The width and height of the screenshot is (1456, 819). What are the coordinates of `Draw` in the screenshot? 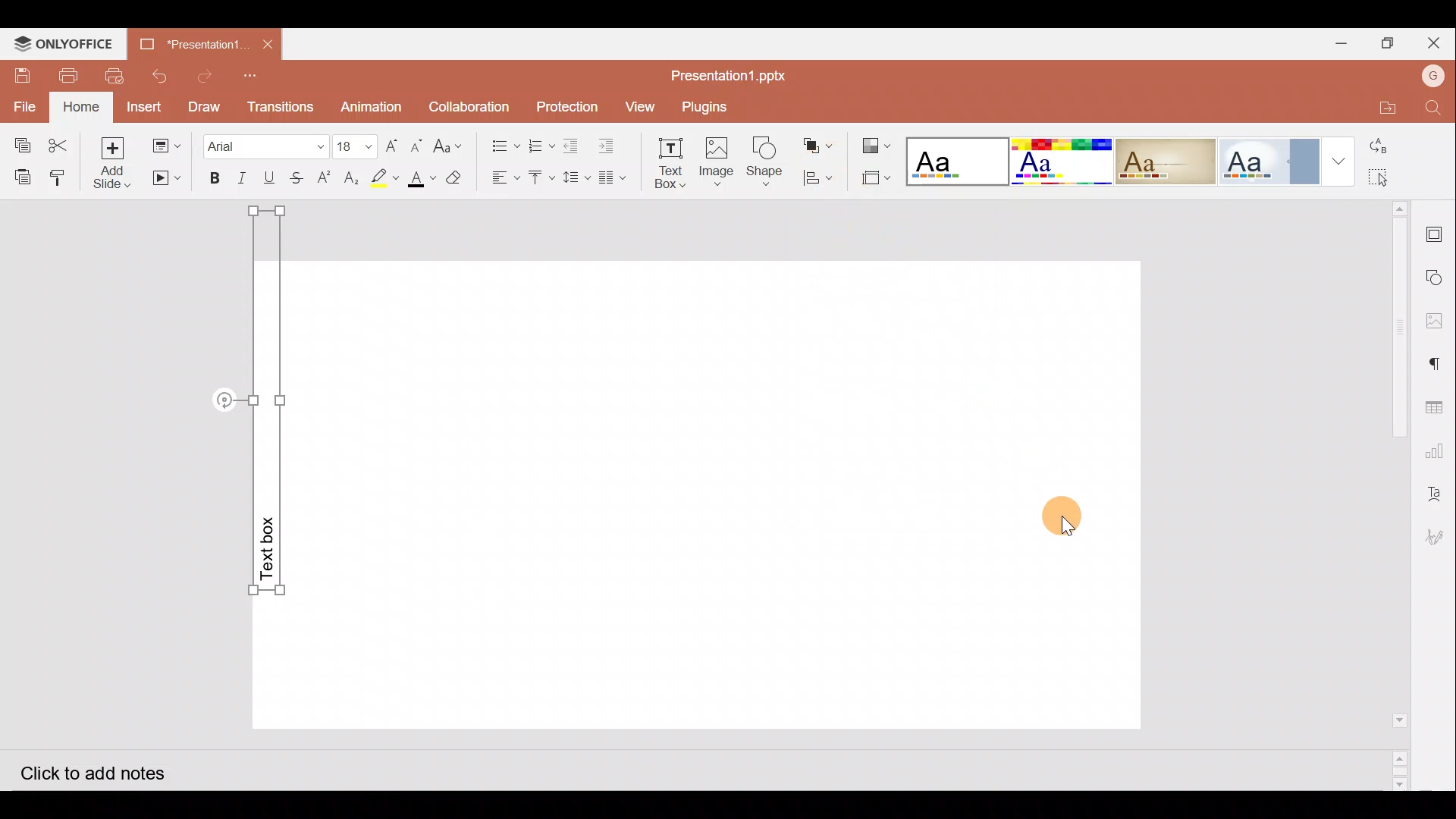 It's located at (203, 105).